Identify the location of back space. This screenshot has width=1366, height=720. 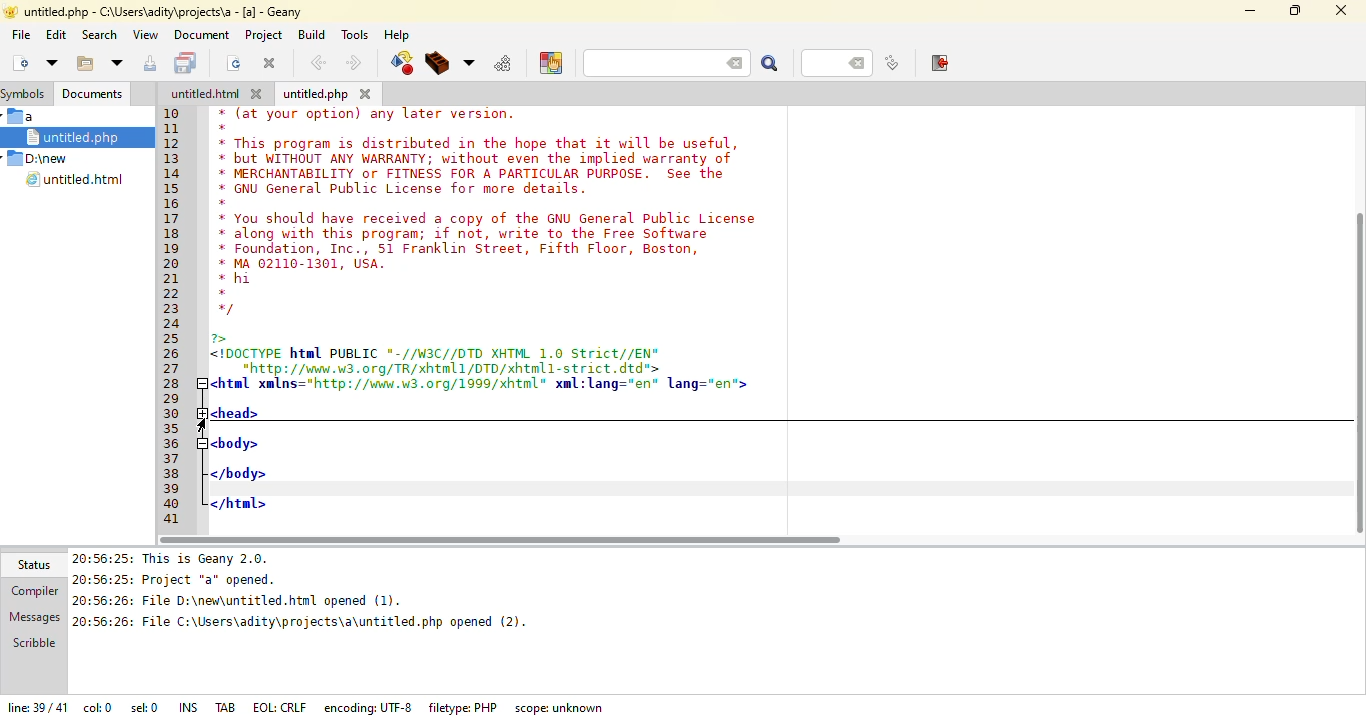
(858, 63).